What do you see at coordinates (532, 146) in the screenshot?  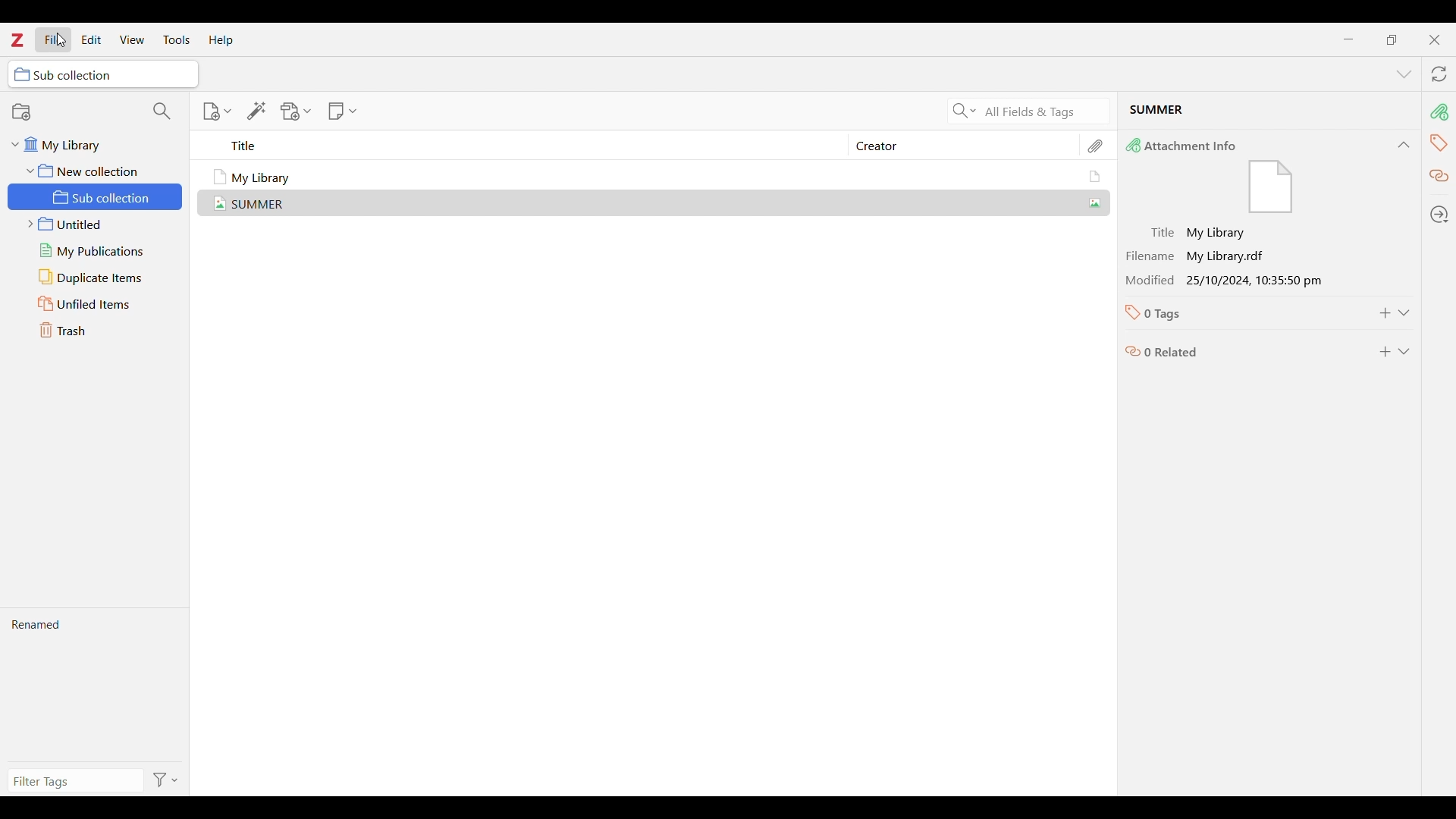 I see `Title ` at bounding box center [532, 146].